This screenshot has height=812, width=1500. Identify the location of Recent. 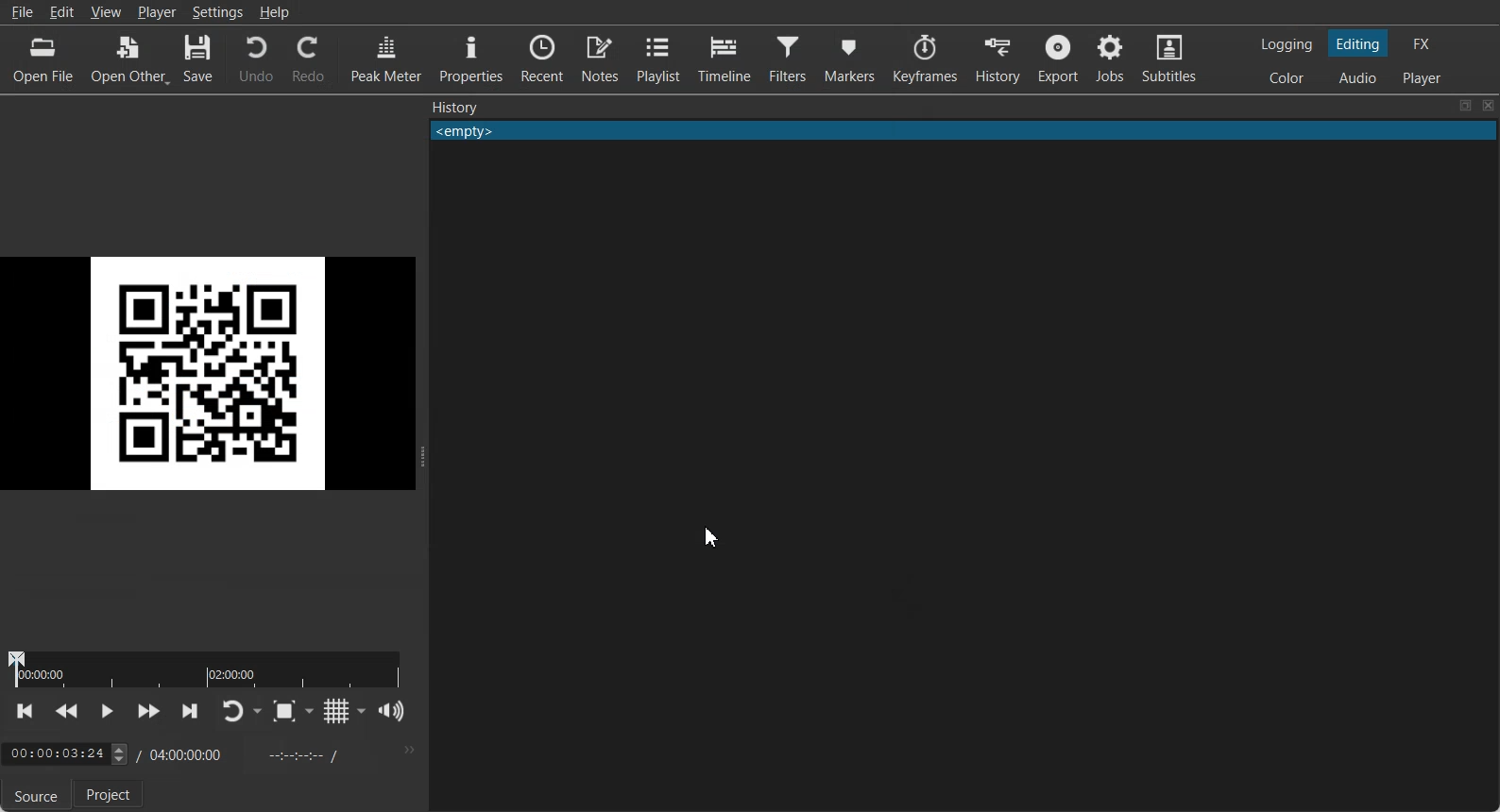
(542, 57).